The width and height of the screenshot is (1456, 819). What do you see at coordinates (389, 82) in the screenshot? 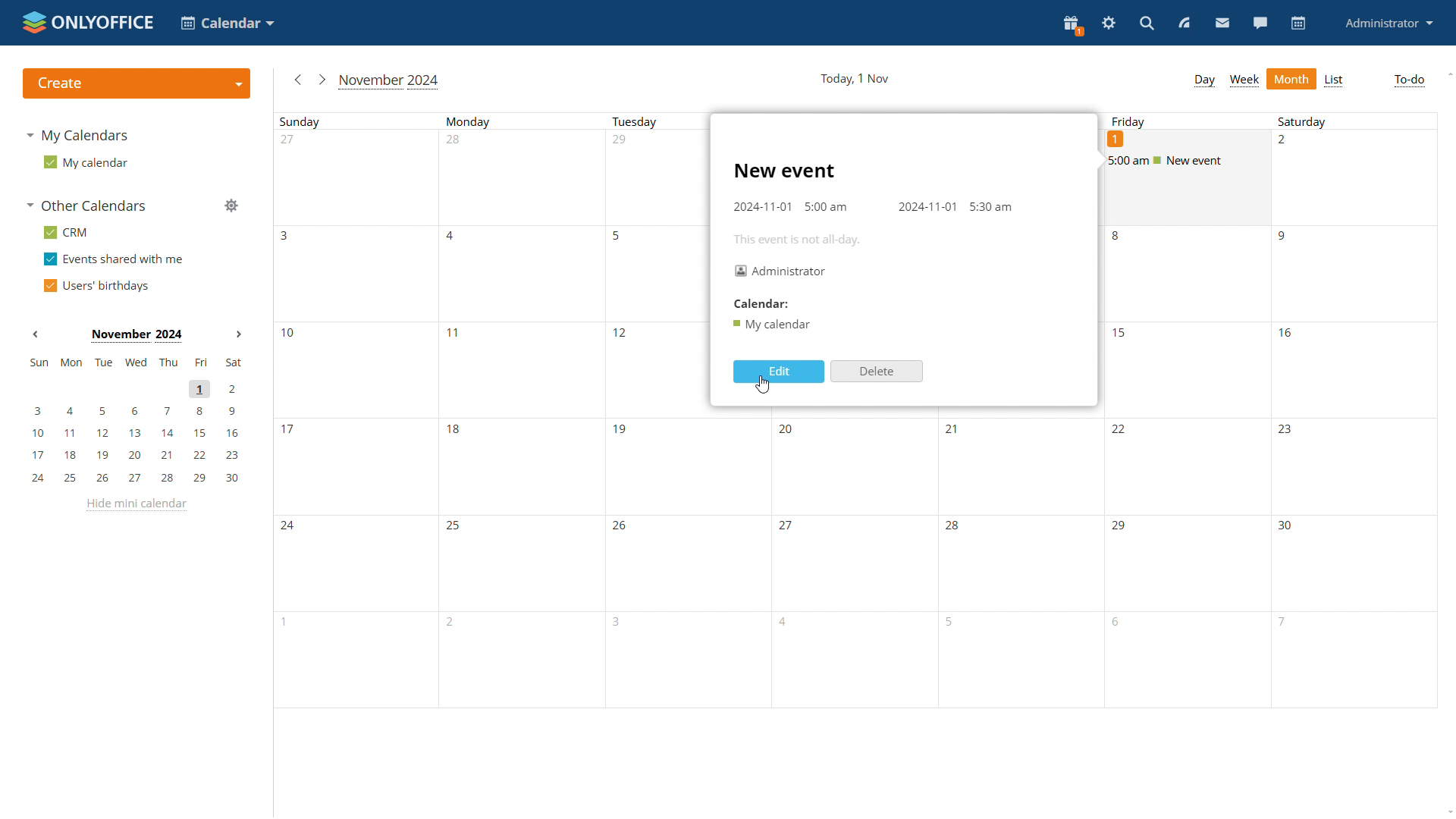
I see `current month` at bounding box center [389, 82].